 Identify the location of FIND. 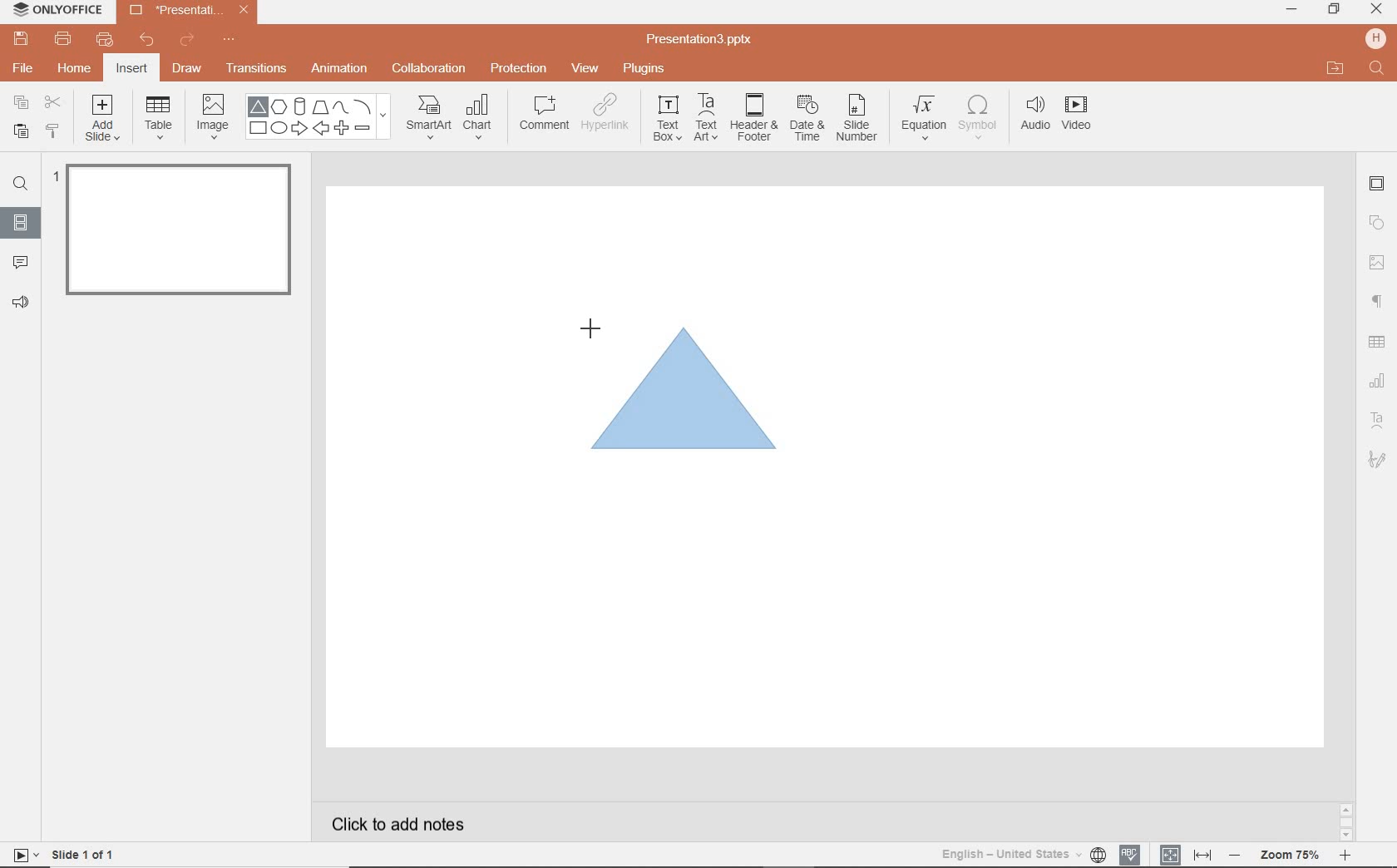
(20, 186).